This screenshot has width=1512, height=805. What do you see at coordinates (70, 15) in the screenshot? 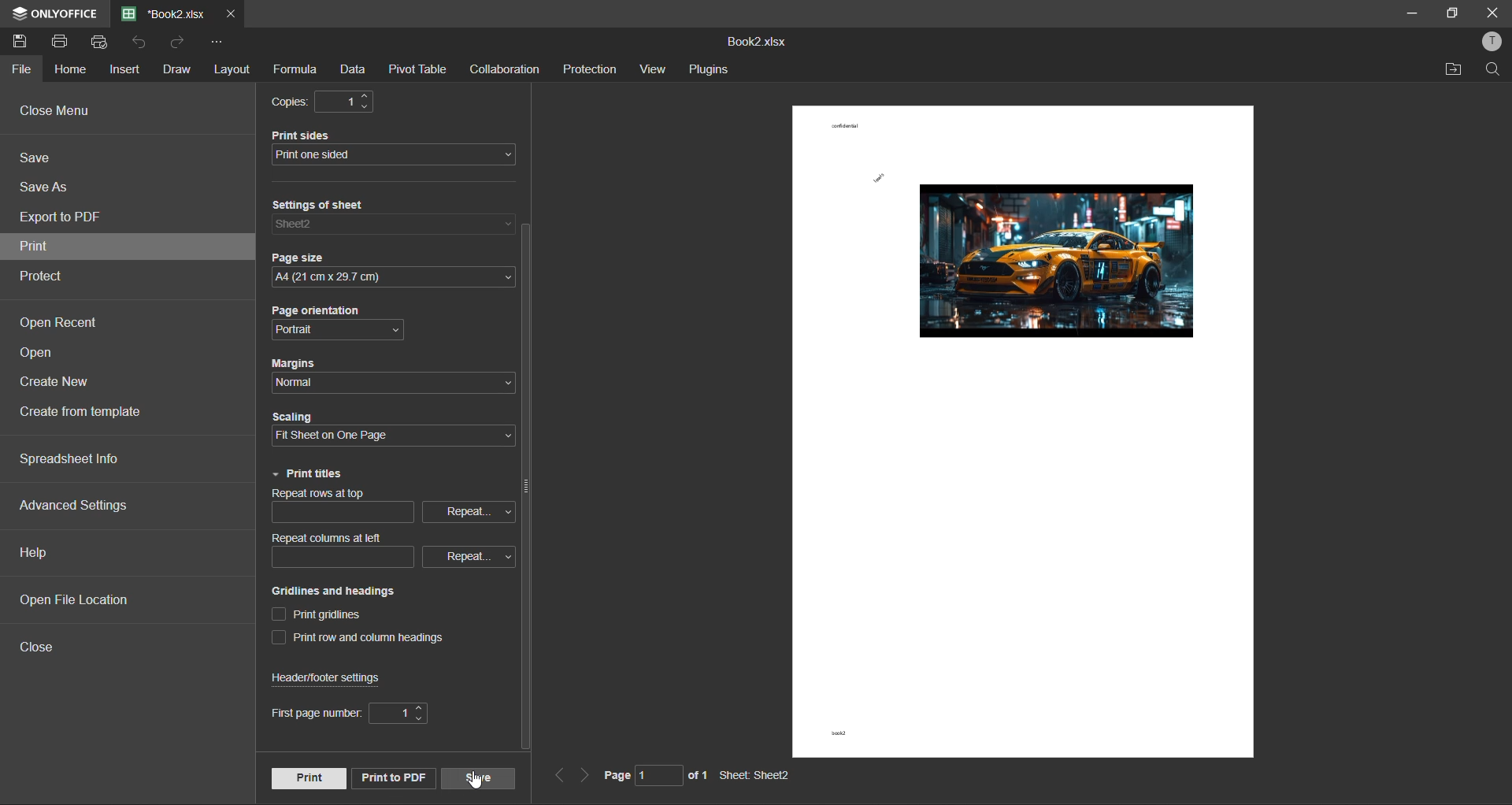
I see `ONLYOFFICE` at bounding box center [70, 15].